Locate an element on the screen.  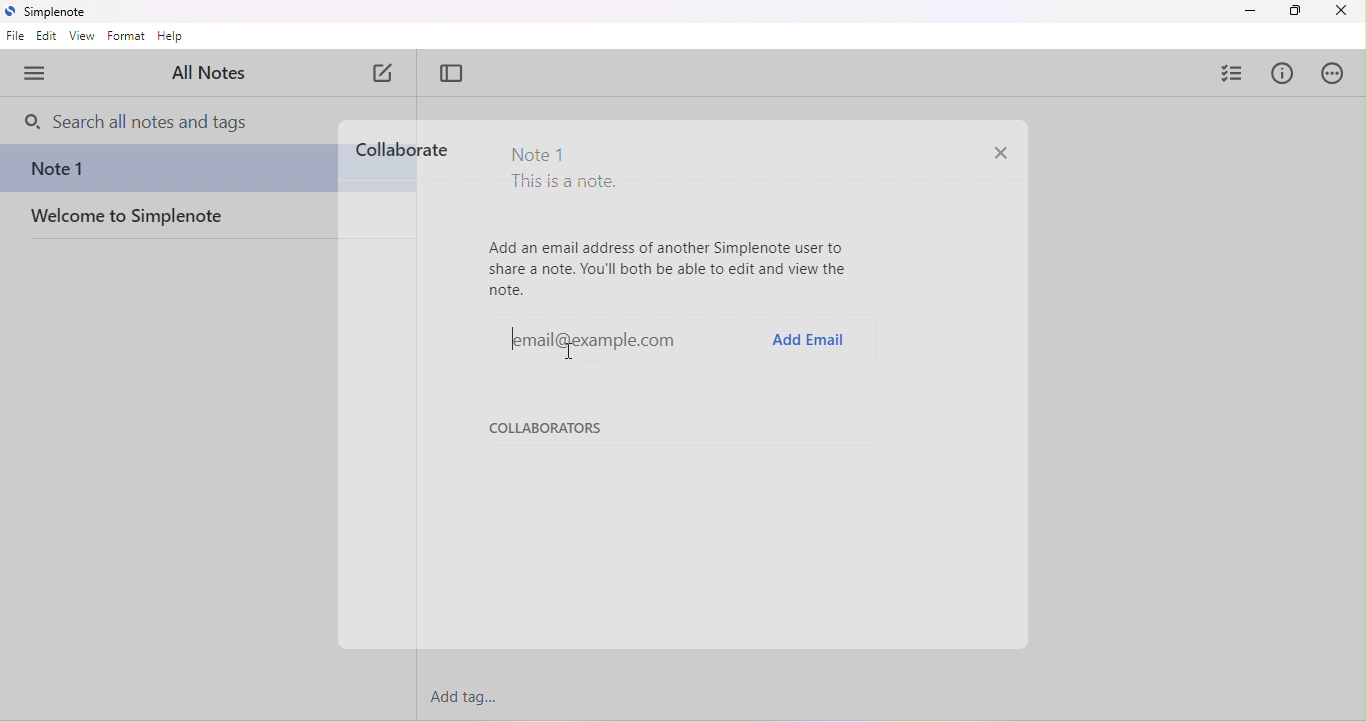
close is located at coordinates (999, 155).